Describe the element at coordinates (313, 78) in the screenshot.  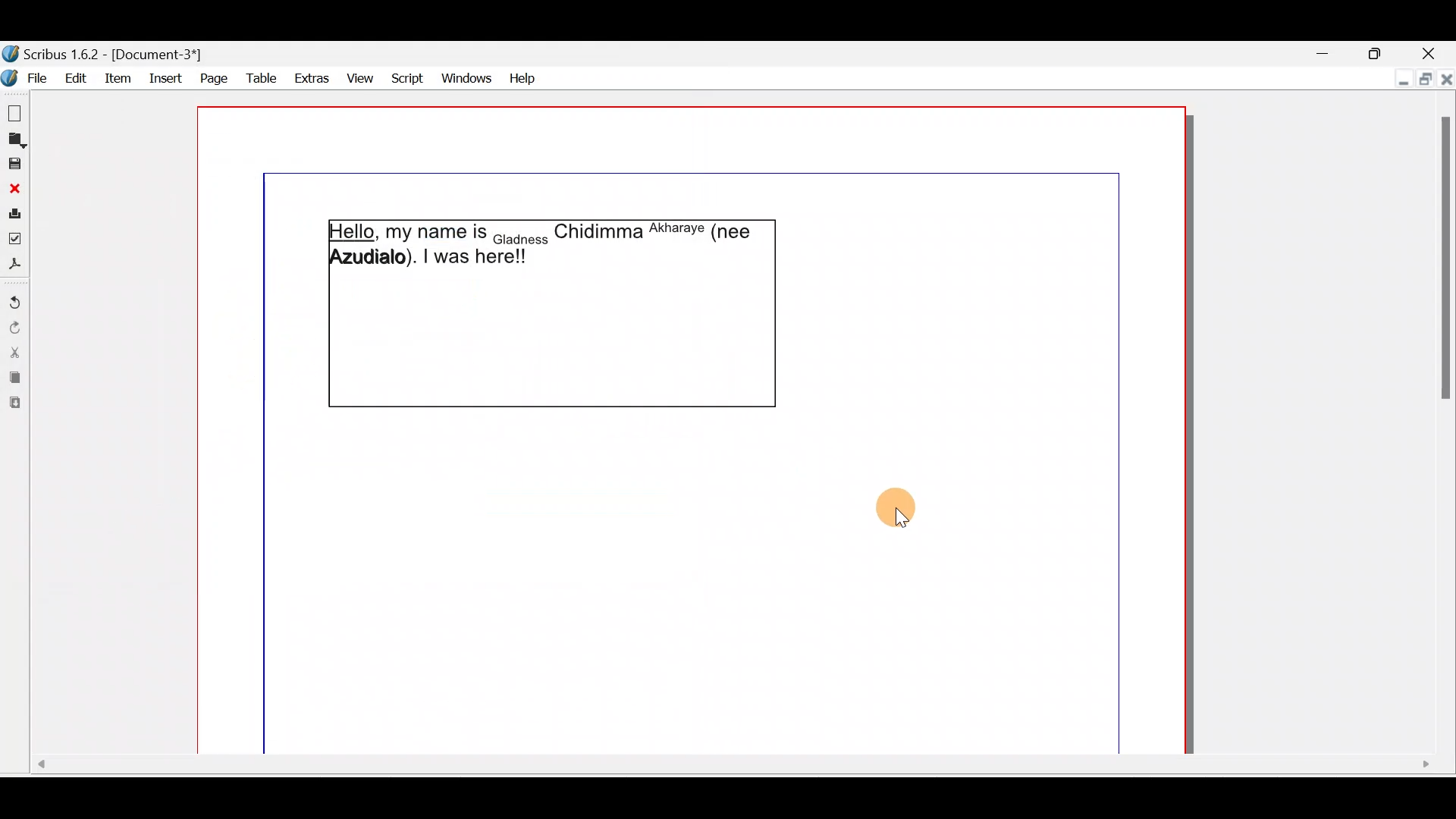
I see `Extras` at that location.